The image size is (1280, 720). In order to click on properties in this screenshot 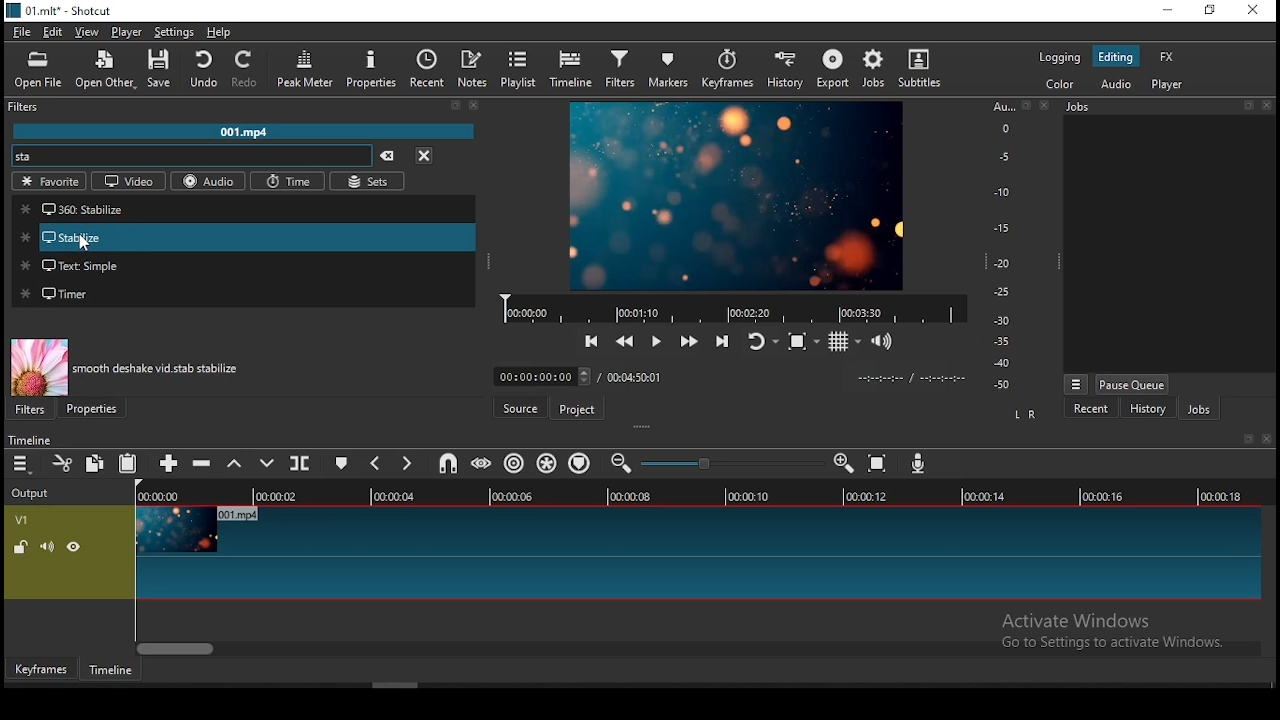, I will do `click(92, 409)`.